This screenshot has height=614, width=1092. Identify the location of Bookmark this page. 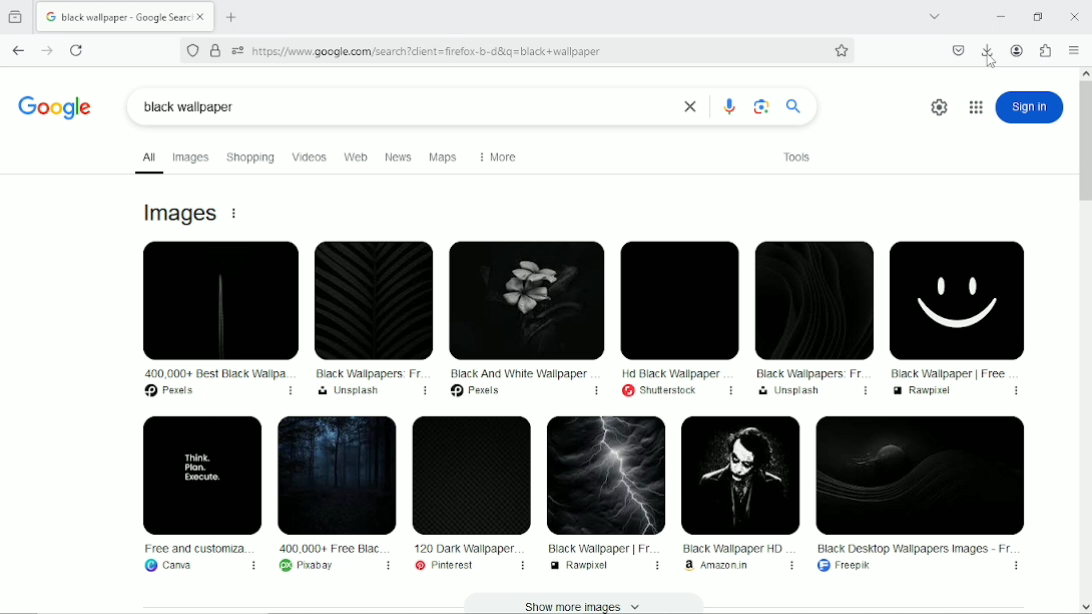
(844, 50).